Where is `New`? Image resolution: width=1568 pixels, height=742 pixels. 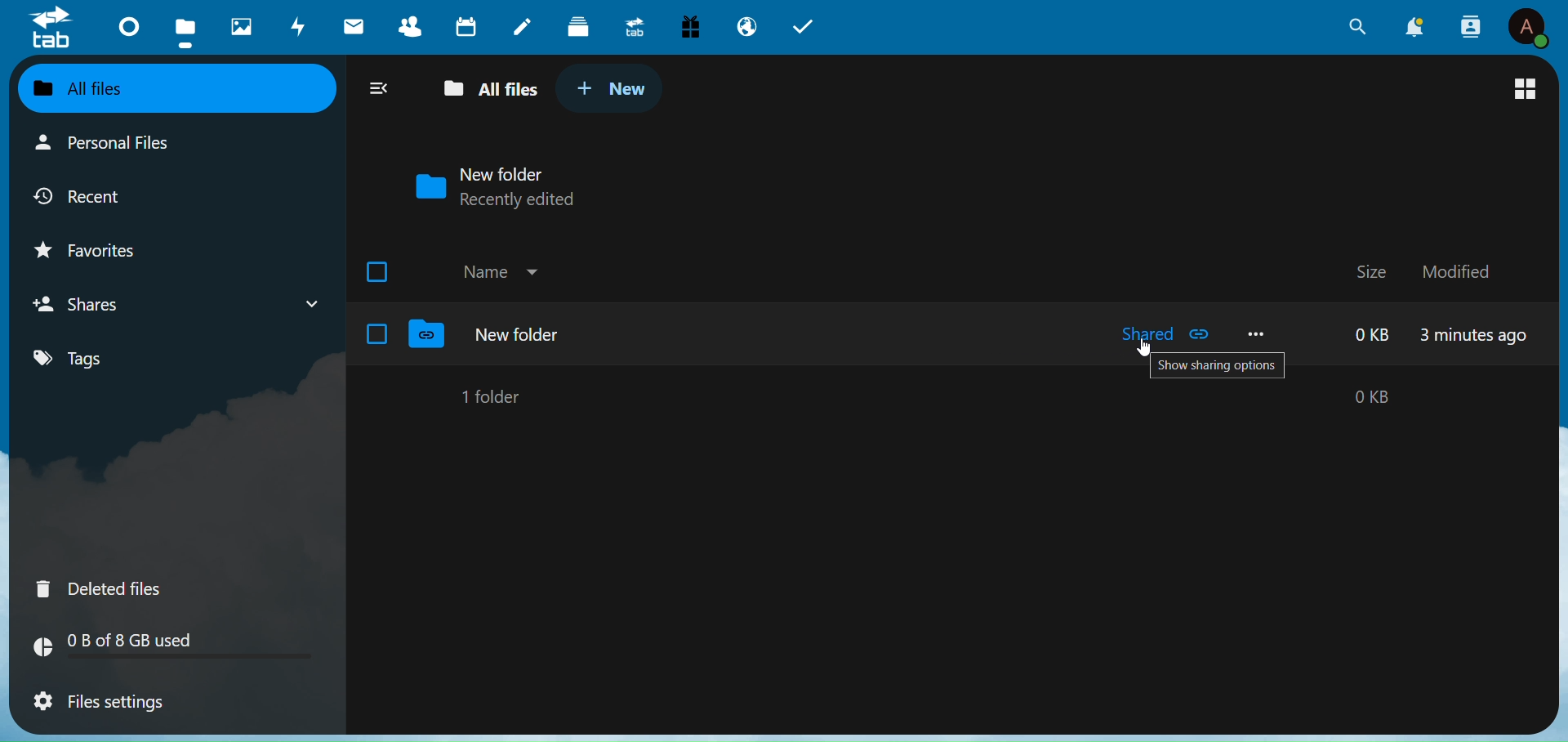
New is located at coordinates (612, 87).